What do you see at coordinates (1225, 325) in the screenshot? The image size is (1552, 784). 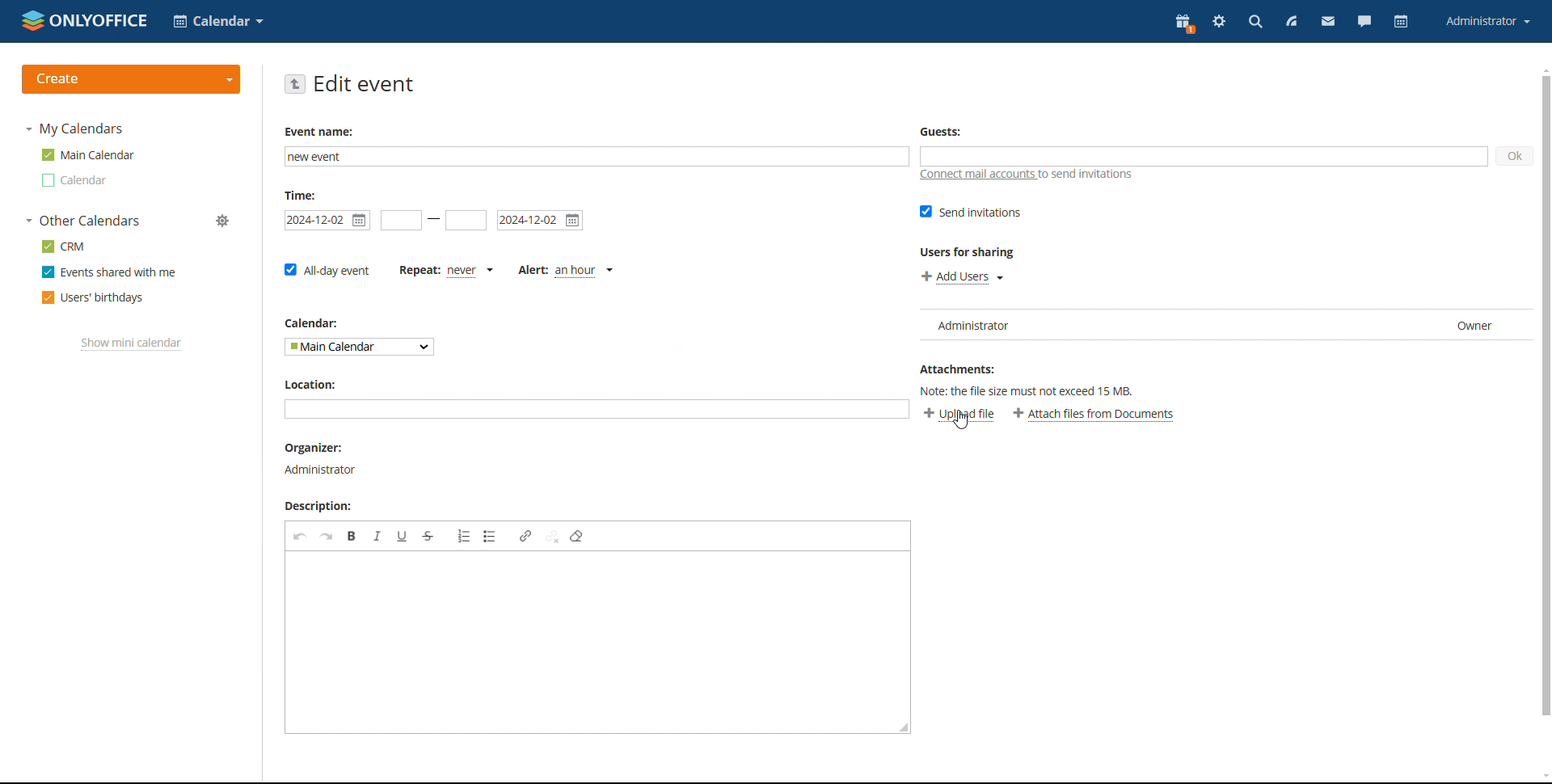 I see `user list` at bounding box center [1225, 325].